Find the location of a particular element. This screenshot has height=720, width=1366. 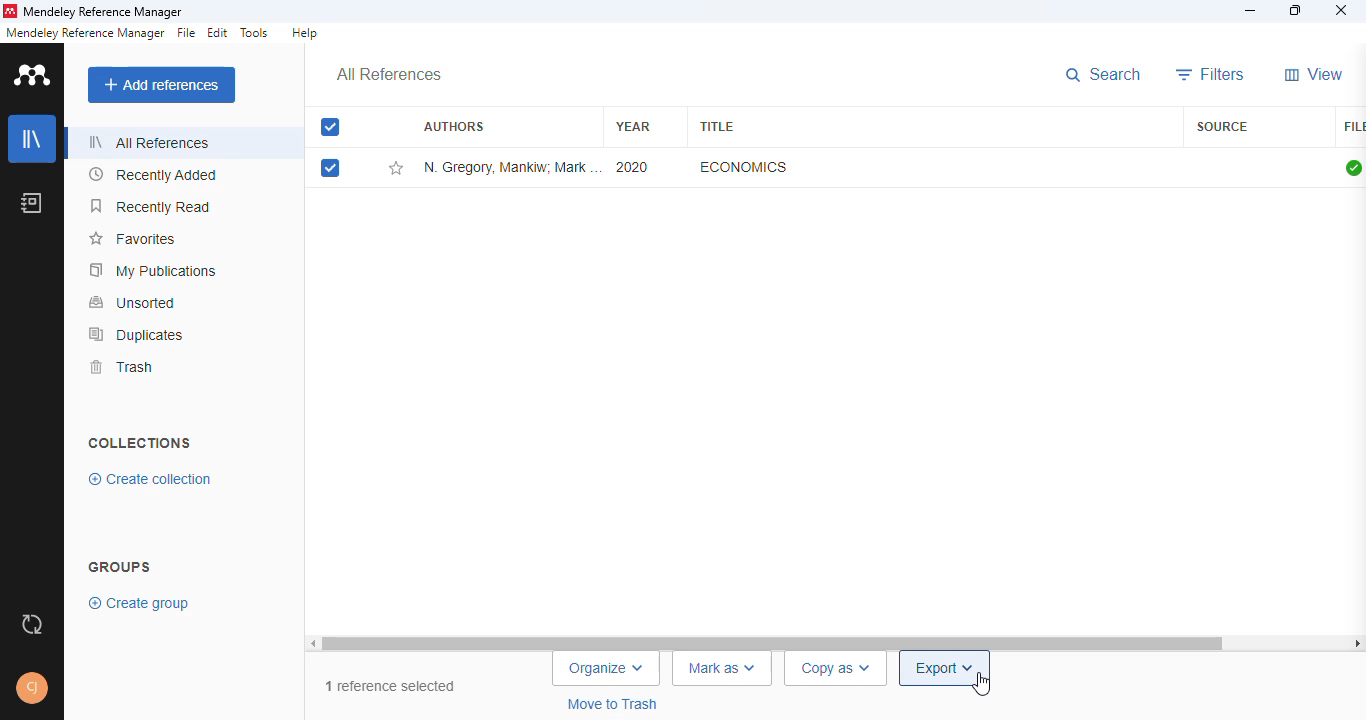

my publications is located at coordinates (154, 270).